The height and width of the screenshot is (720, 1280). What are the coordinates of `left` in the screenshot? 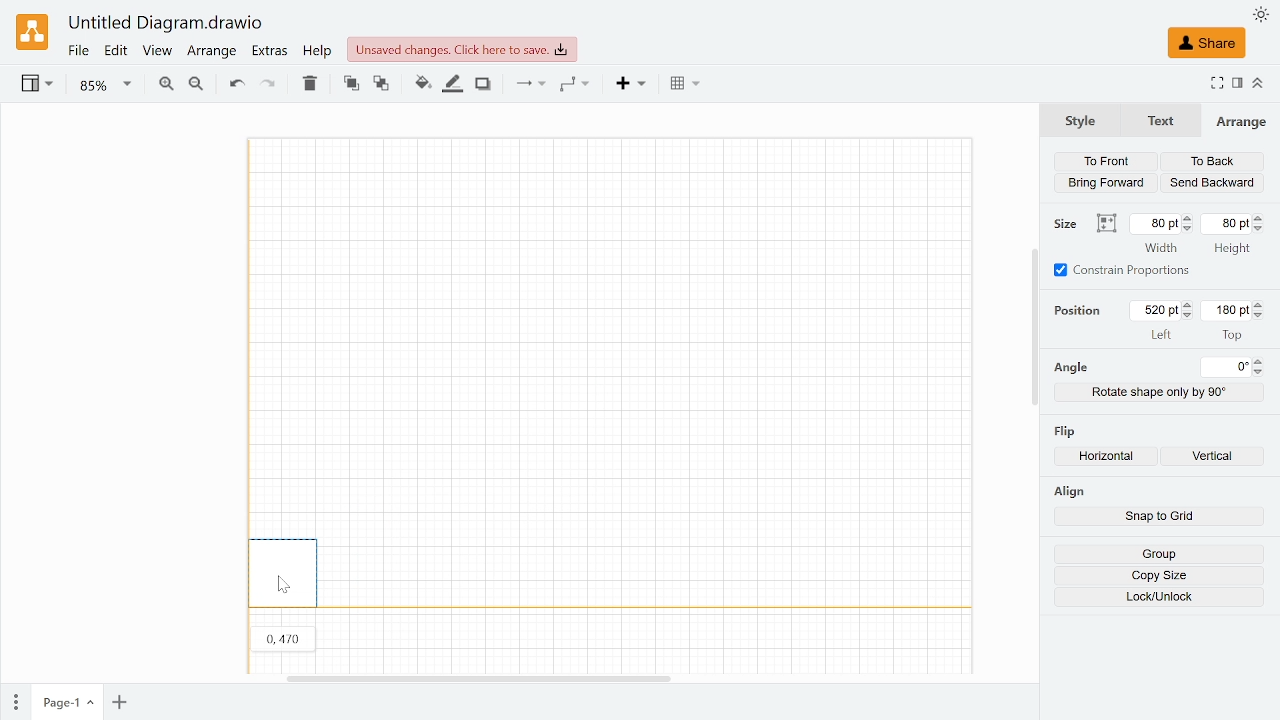 It's located at (1162, 334).